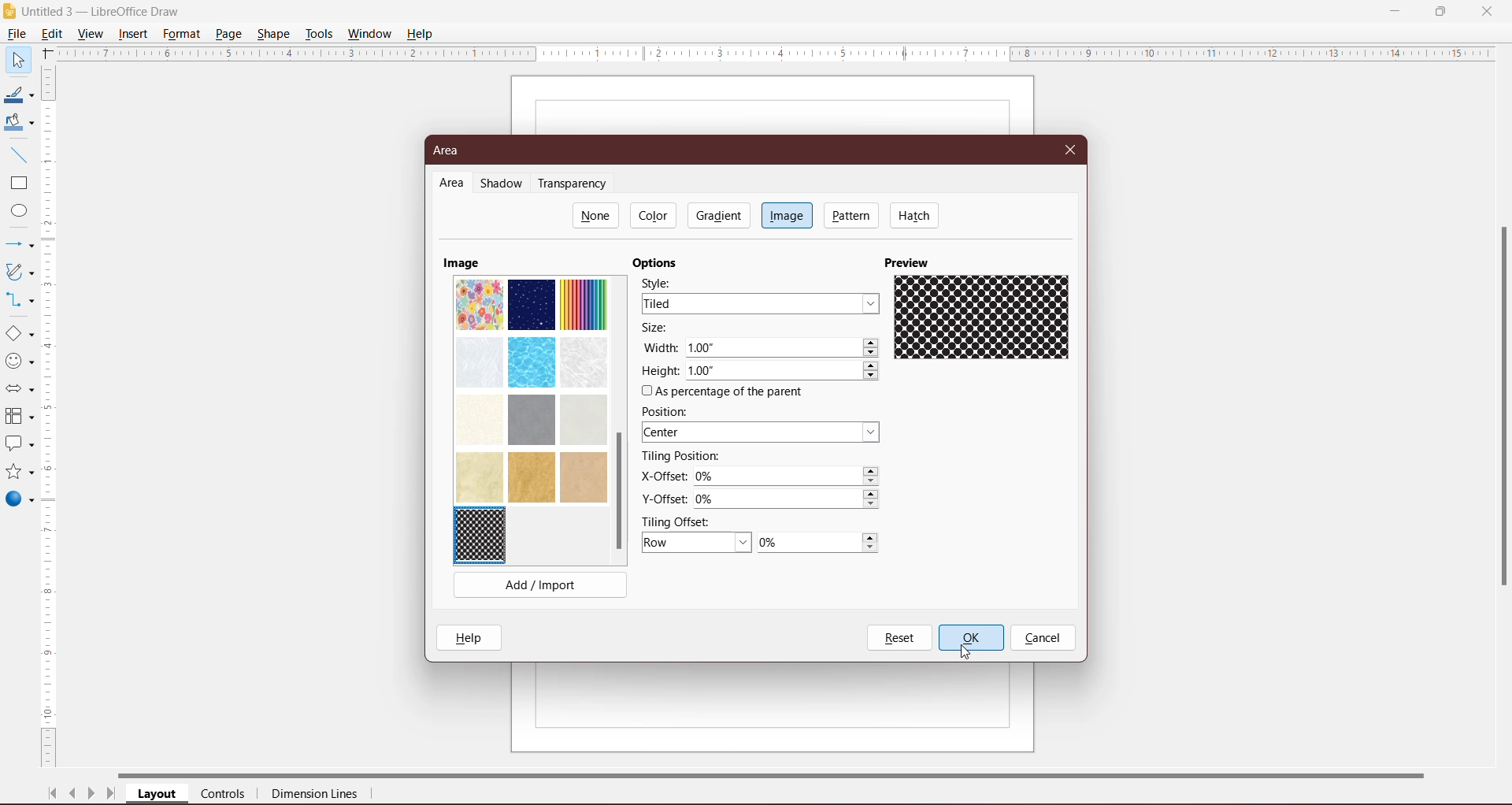 This screenshot has height=805, width=1512. Describe the element at coordinates (660, 347) in the screenshot. I see `Width` at that location.